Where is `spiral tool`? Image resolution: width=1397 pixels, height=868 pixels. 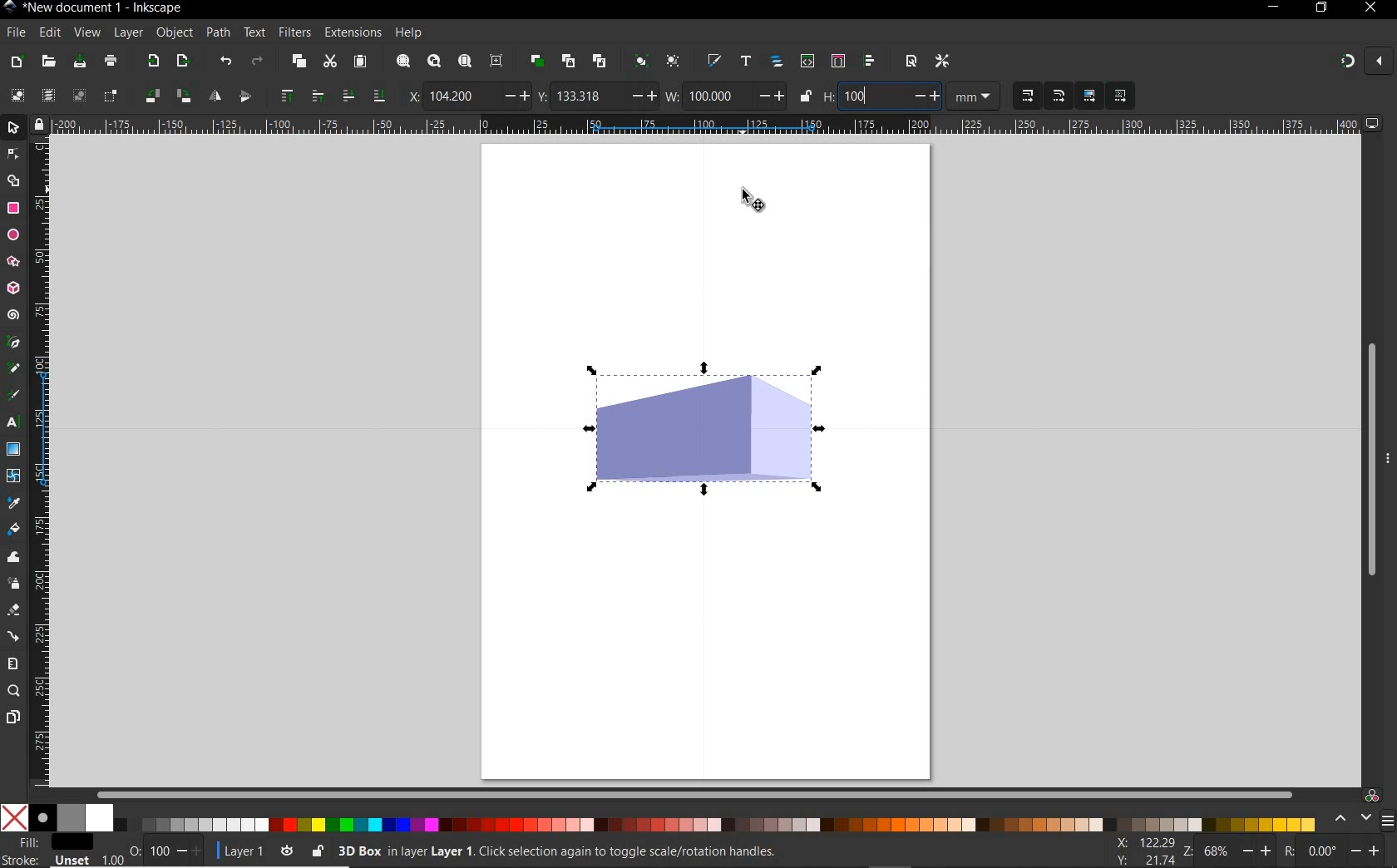
spiral tool is located at coordinates (12, 314).